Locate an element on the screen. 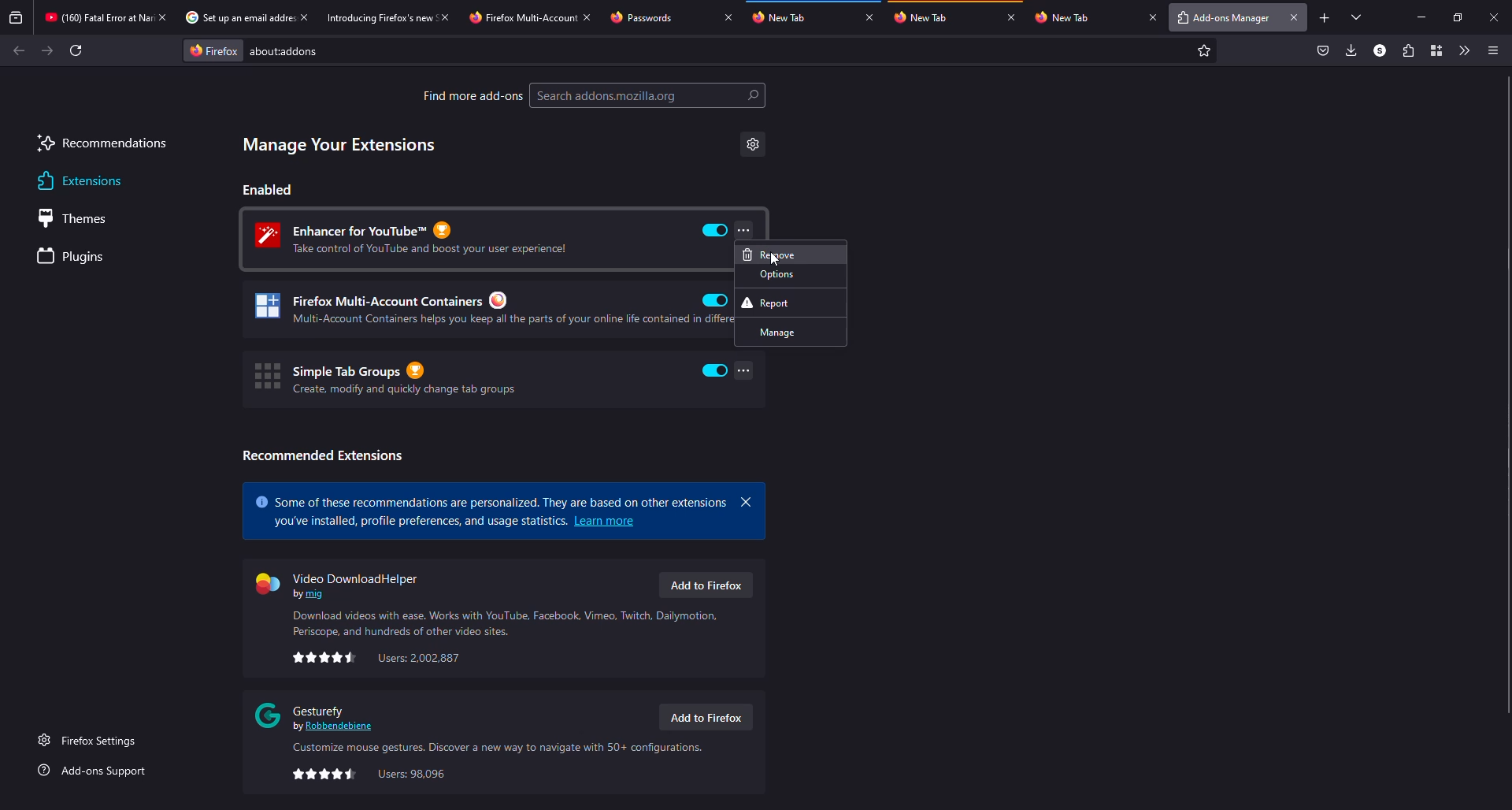  add to firefox is located at coordinates (705, 585).